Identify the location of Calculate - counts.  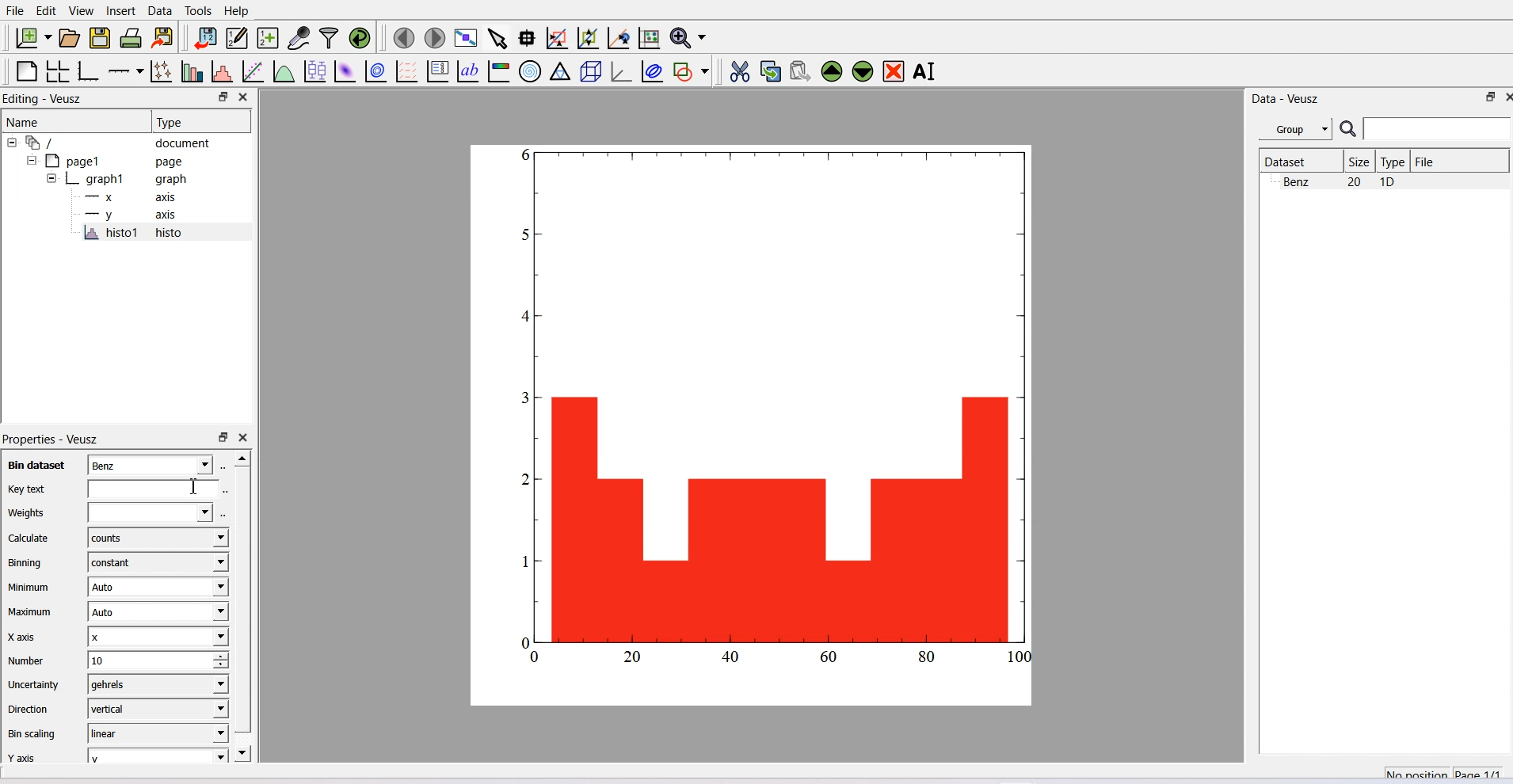
(115, 537).